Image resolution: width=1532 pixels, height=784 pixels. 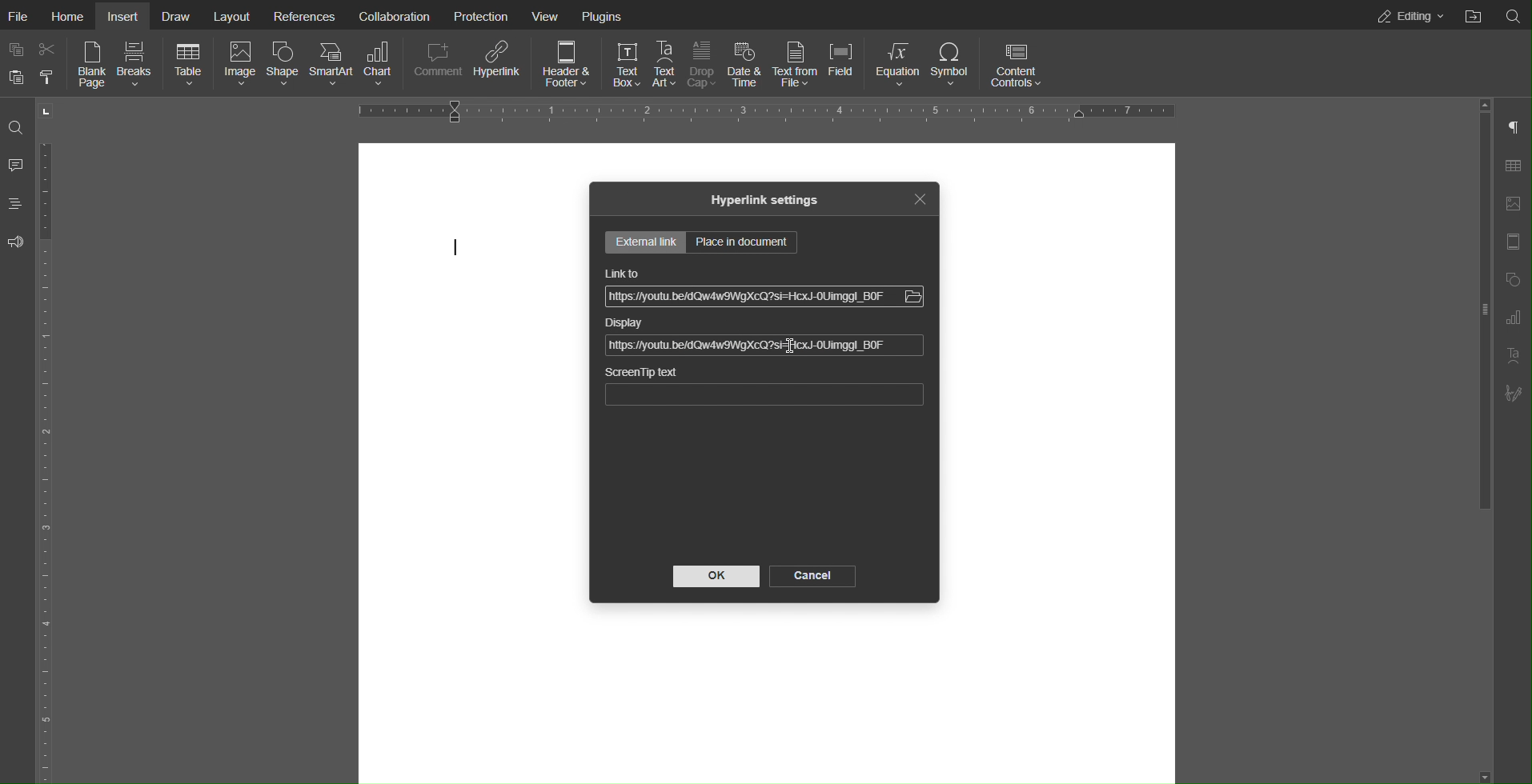 I want to click on Insert, so click(x=124, y=16).